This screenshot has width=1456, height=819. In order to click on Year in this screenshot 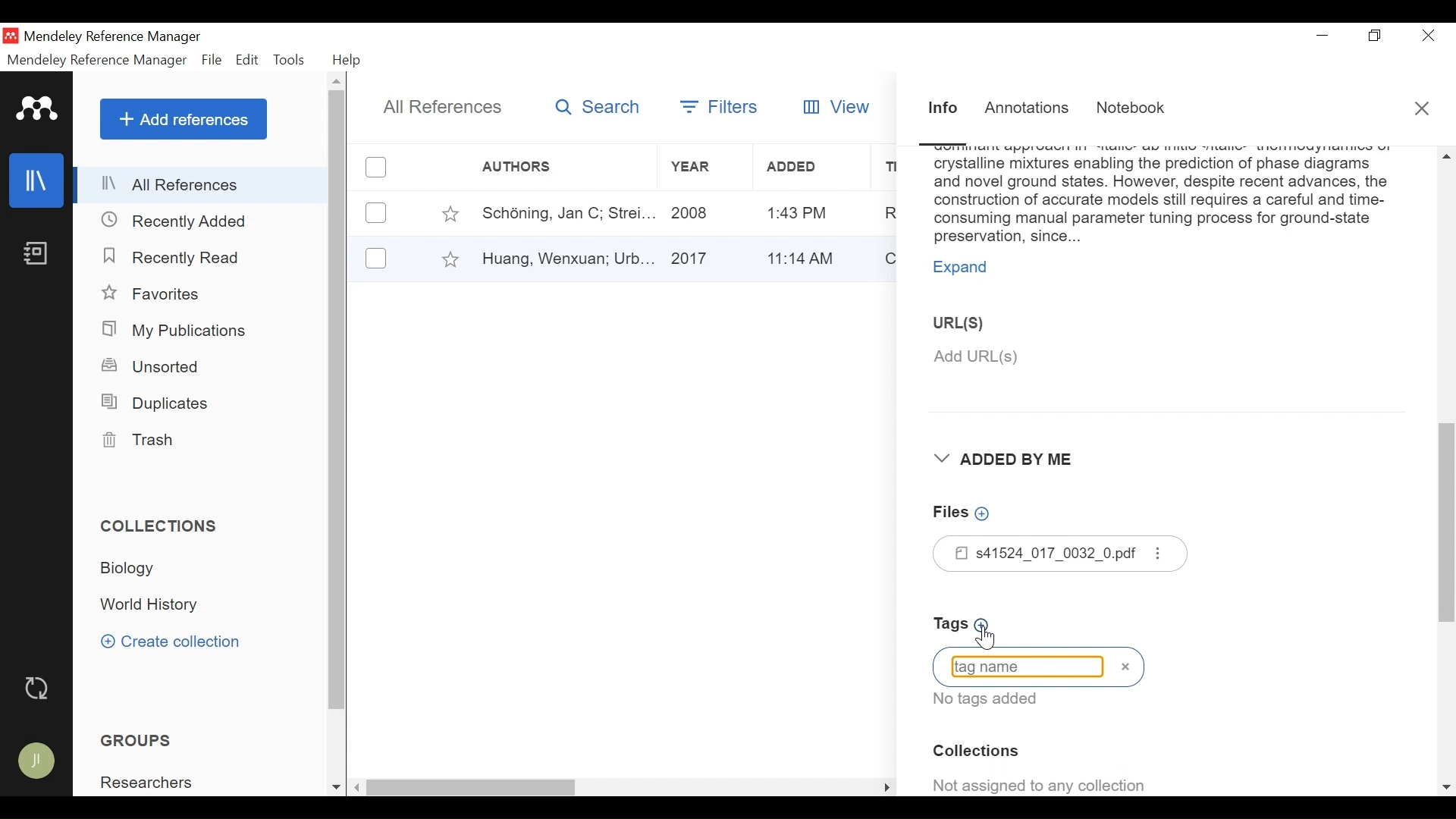, I will do `click(702, 257)`.